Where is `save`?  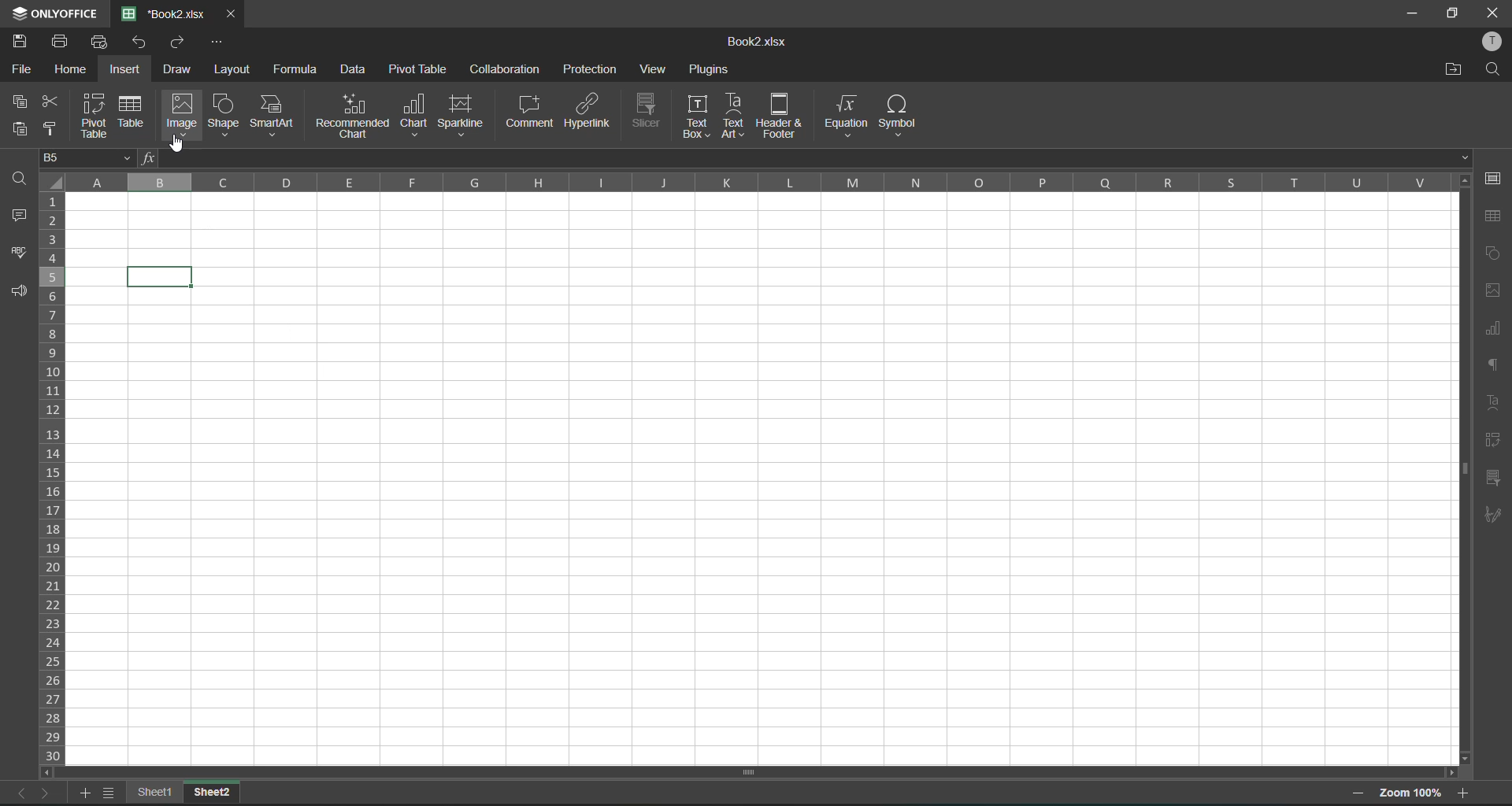 save is located at coordinates (24, 40).